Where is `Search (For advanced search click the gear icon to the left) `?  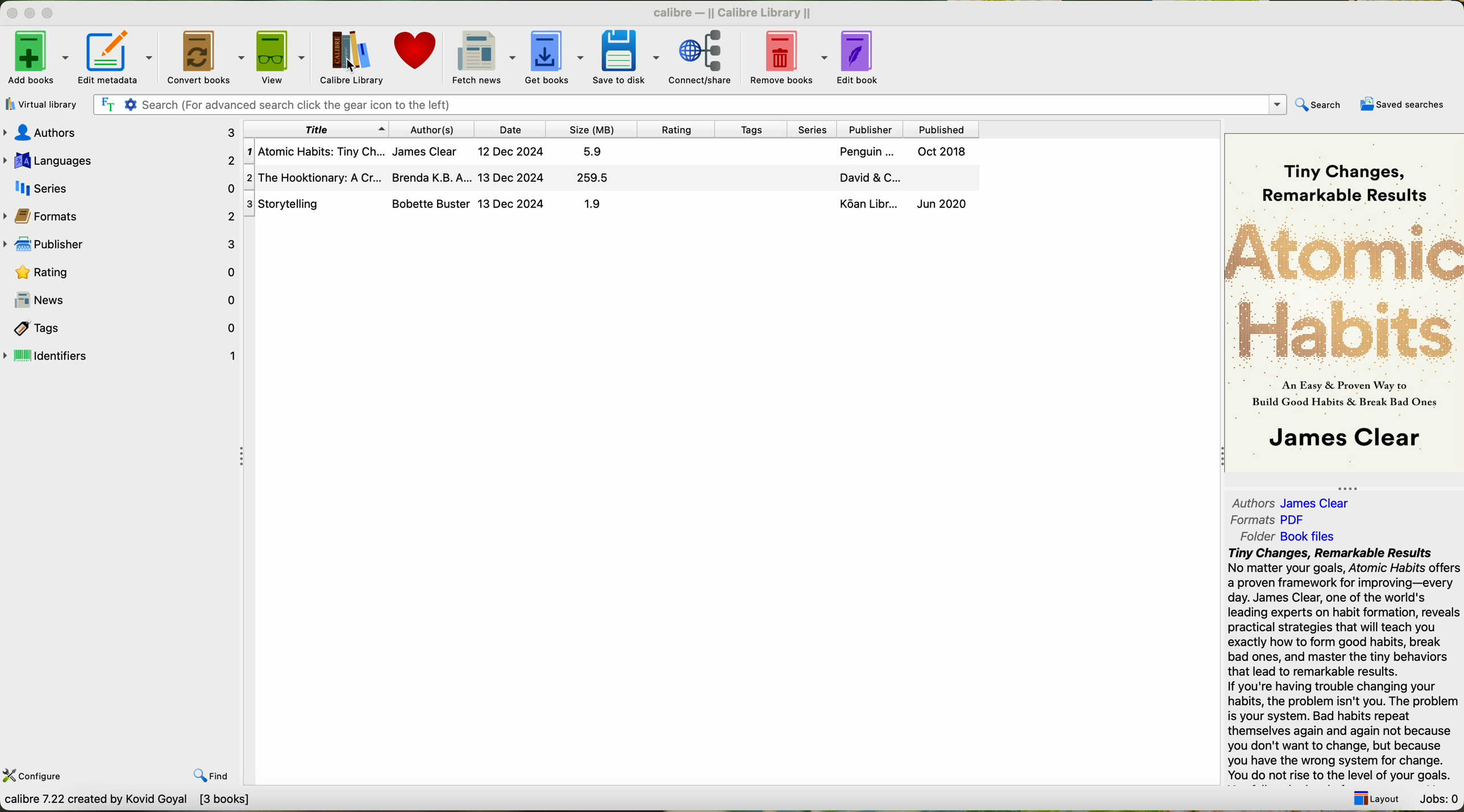
Search (For advanced search click the gear icon to the left)  is located at coordinates (688, 104).